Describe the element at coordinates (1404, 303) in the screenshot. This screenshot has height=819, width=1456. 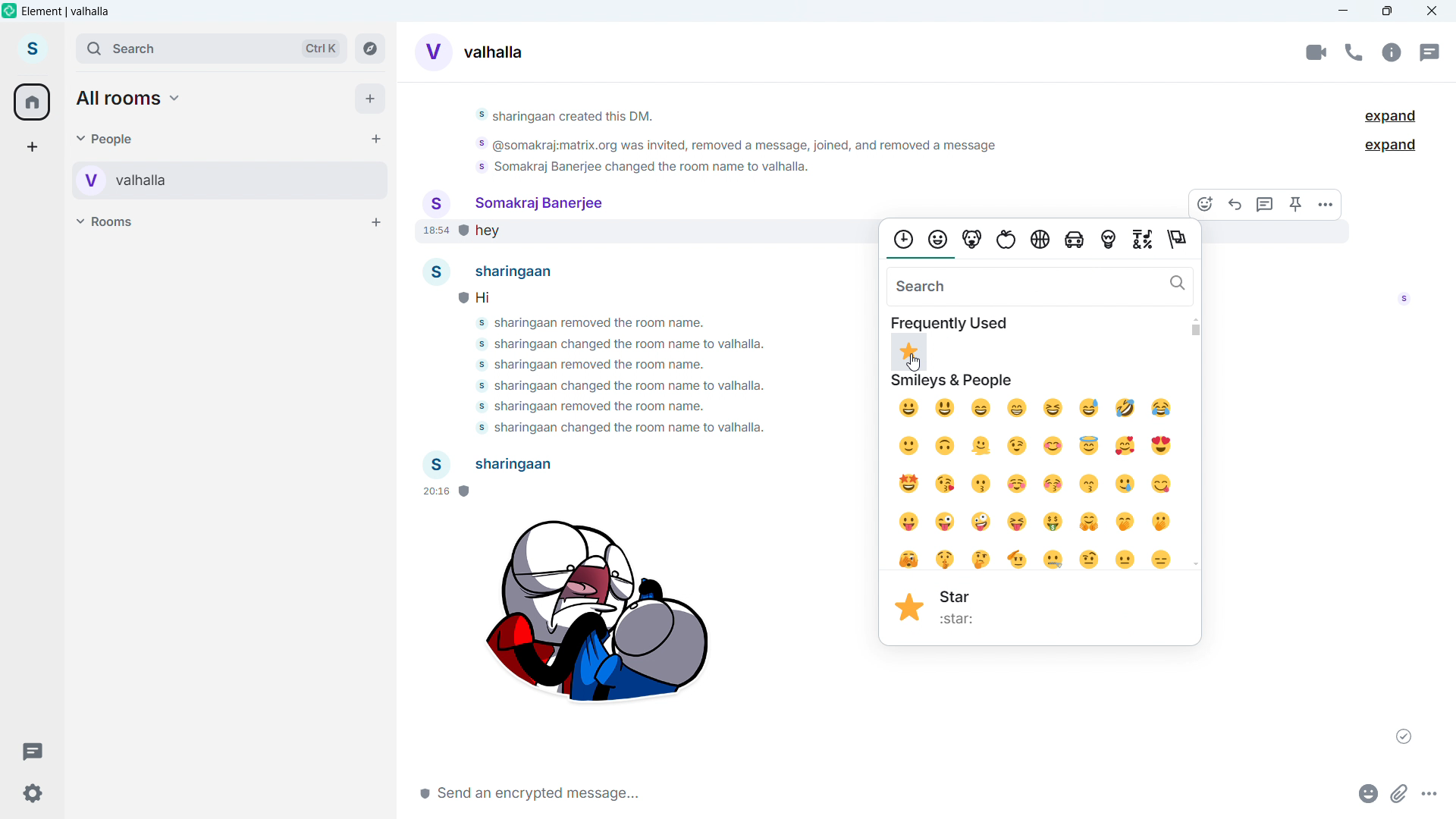
I see `read by somakraj` at that location.